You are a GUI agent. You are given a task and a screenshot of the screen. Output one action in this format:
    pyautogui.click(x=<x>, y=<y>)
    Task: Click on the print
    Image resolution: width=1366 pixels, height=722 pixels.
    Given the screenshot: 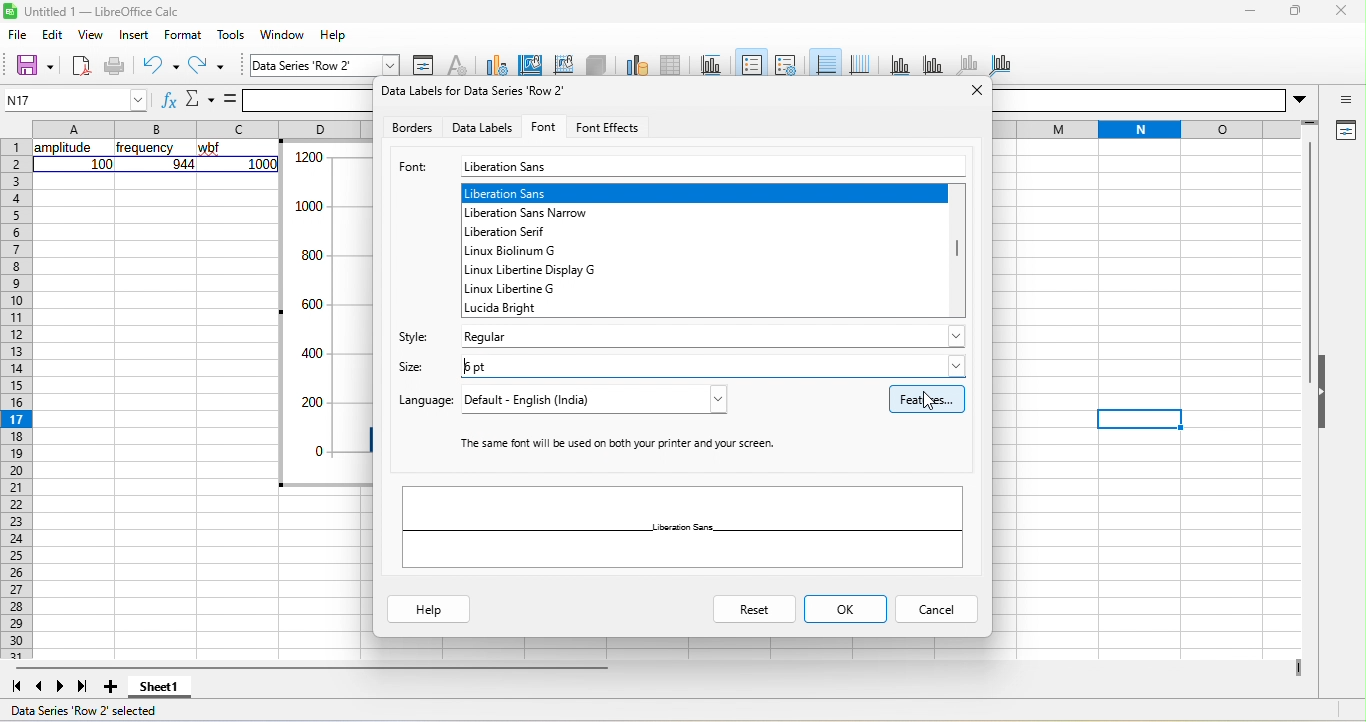 What is the action you would take?
    pyautogui.click(x=115, y=66)
    